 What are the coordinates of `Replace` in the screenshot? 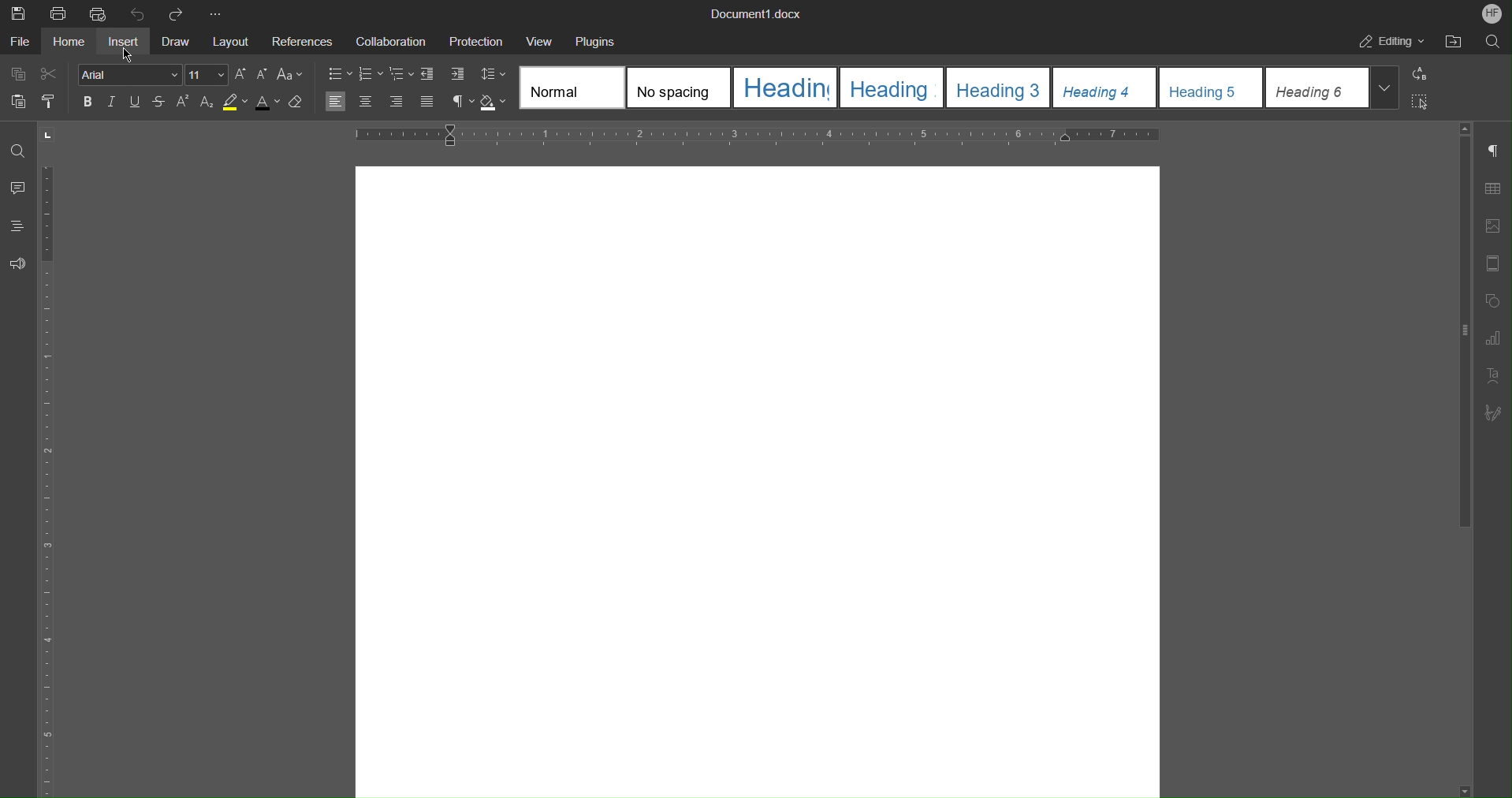 It's located at (1424, 73).